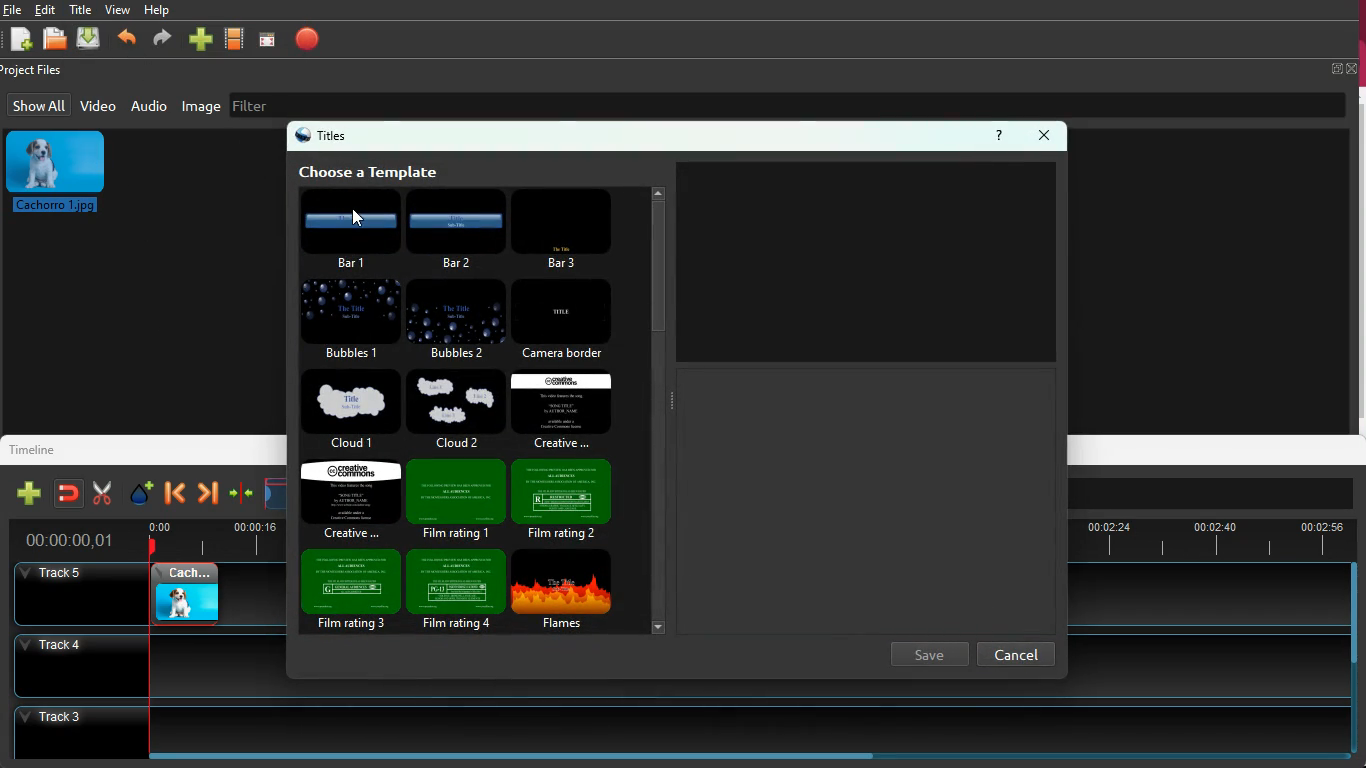 The height and width of the screenshot is (768, 1366). What do you see at coordinates (160, 41) in the screenshot?
I see `forward` at bounding box center [160, 41].